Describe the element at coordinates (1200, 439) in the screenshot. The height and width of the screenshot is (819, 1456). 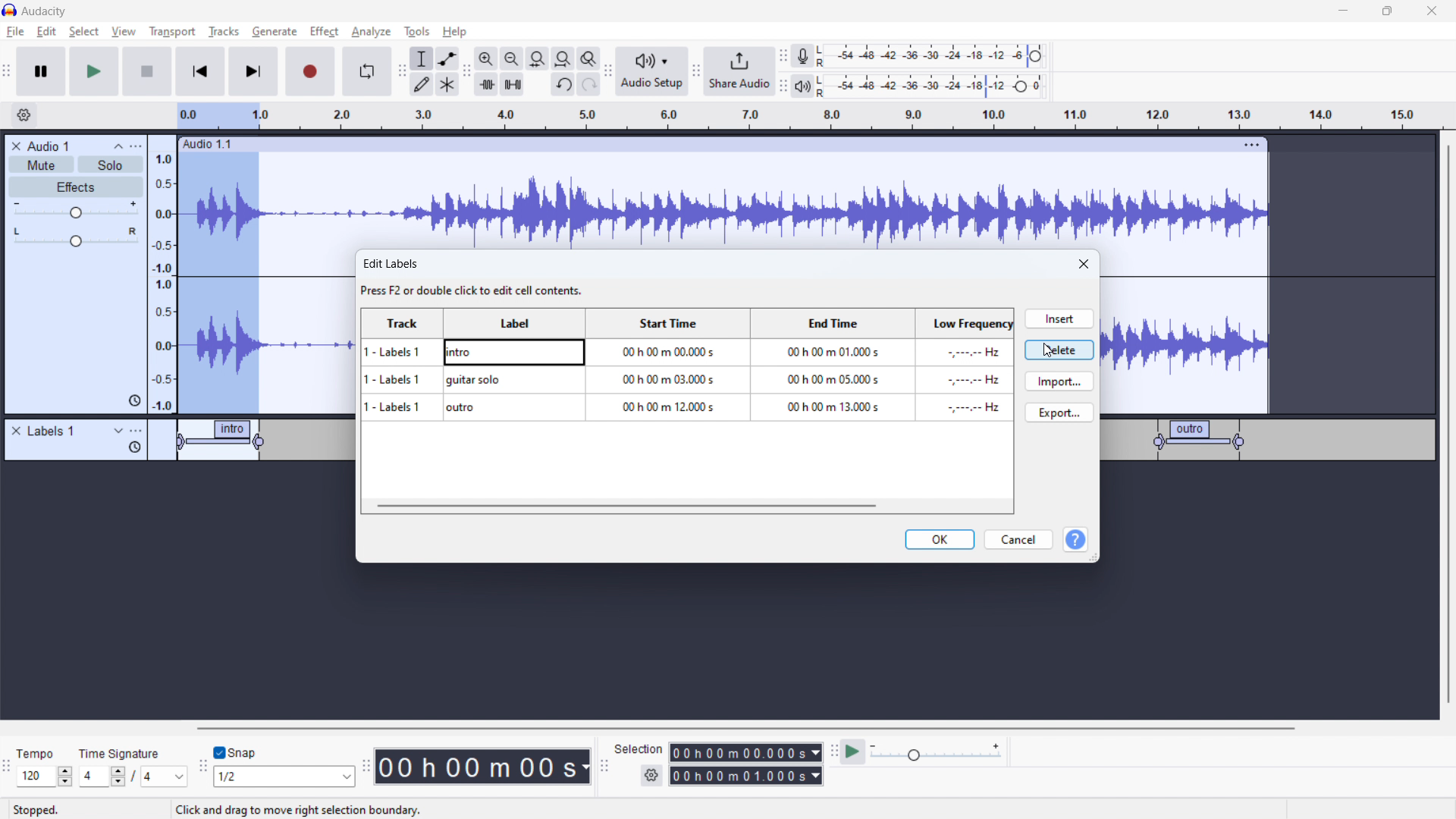
I see `label 3` at that location.